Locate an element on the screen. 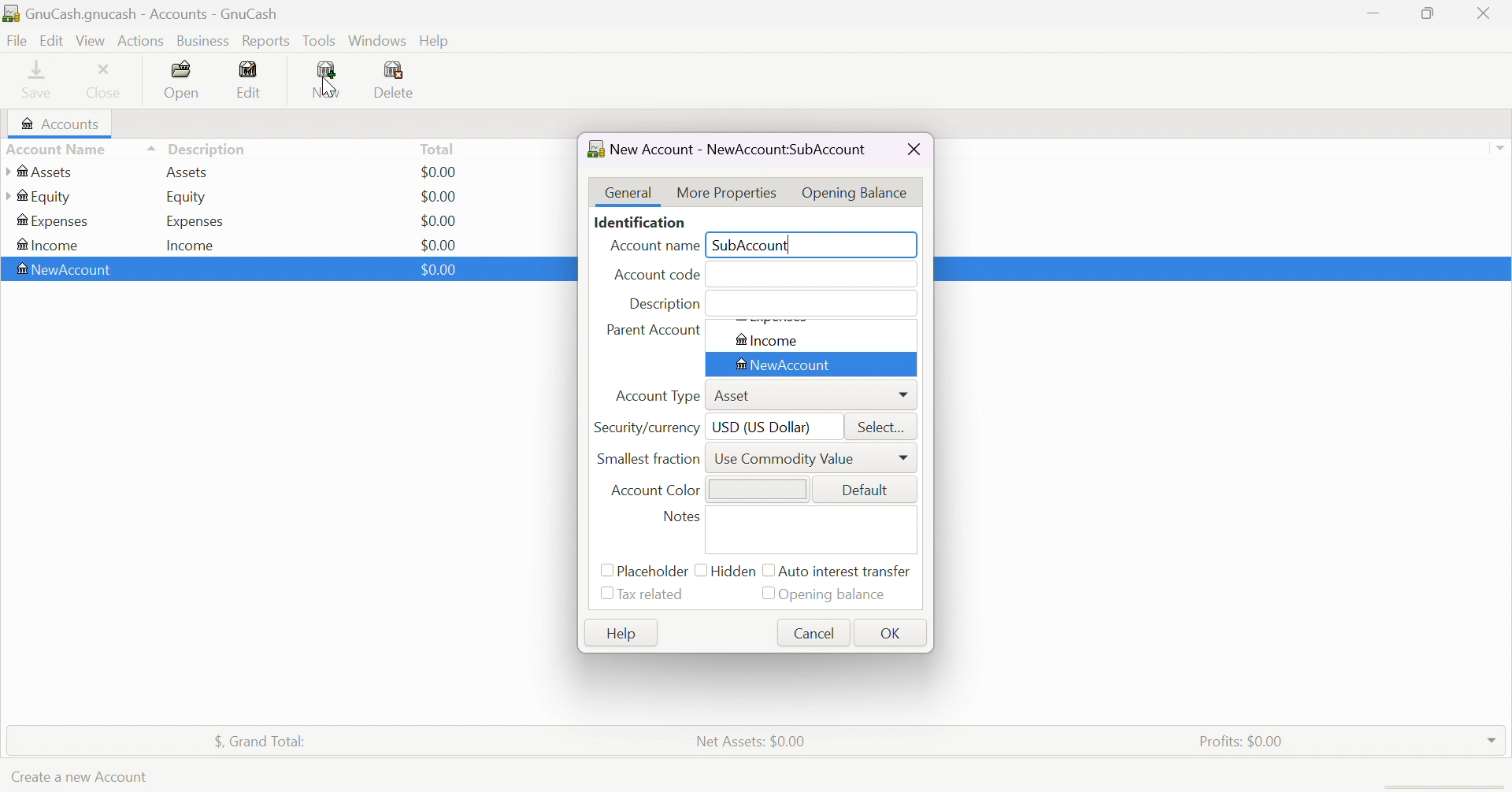 Image resolution: width=1512 pixels, height=792 pixels. $, Grand Total: is located at coordinates (258, 741).